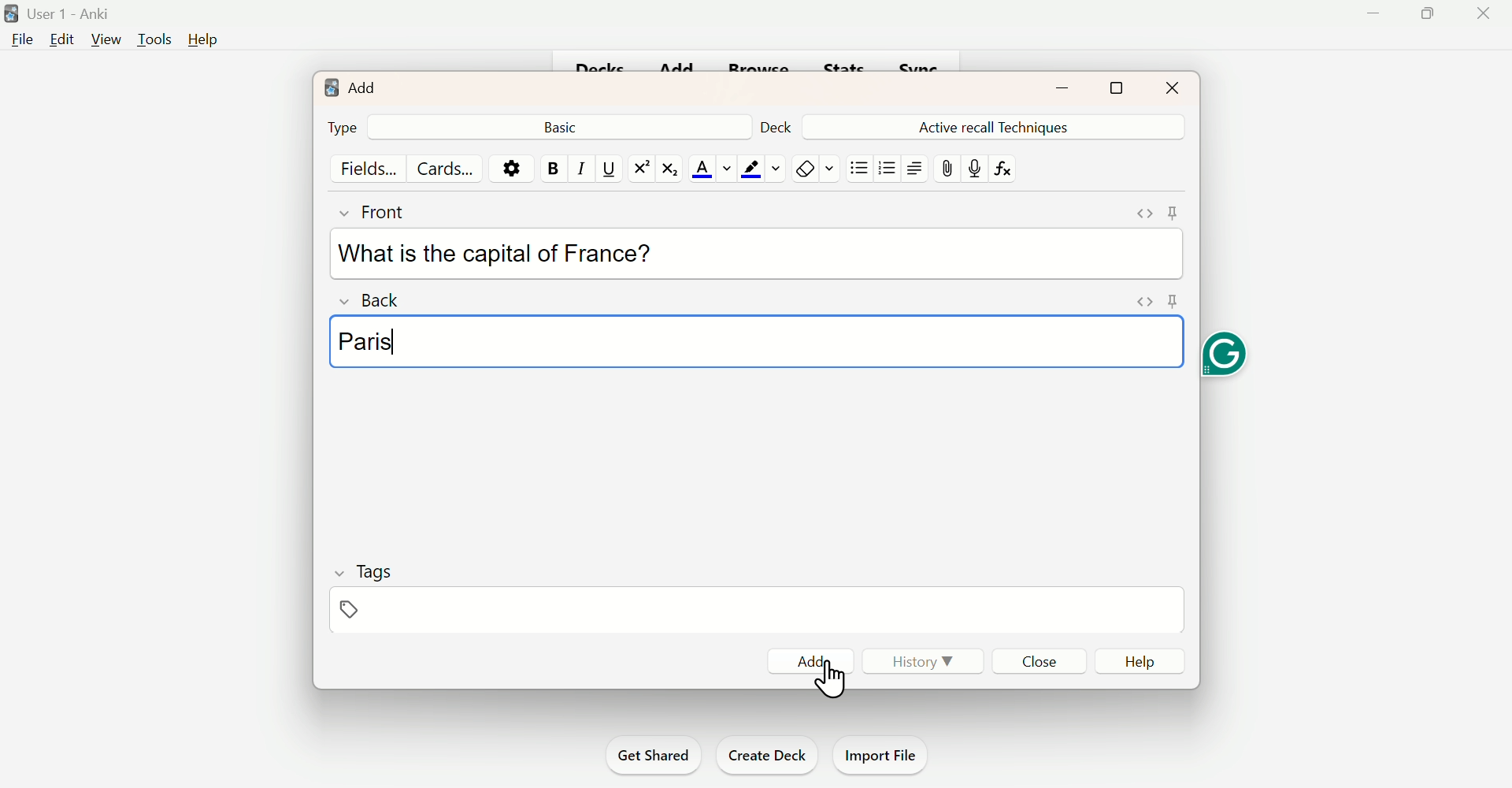 Image resolution: width=1512 pixels, height=788 pixels. What do you see at coordinates (1482, 13) in the screenshot?
I see `Close` at bounding box center [1482, 13].